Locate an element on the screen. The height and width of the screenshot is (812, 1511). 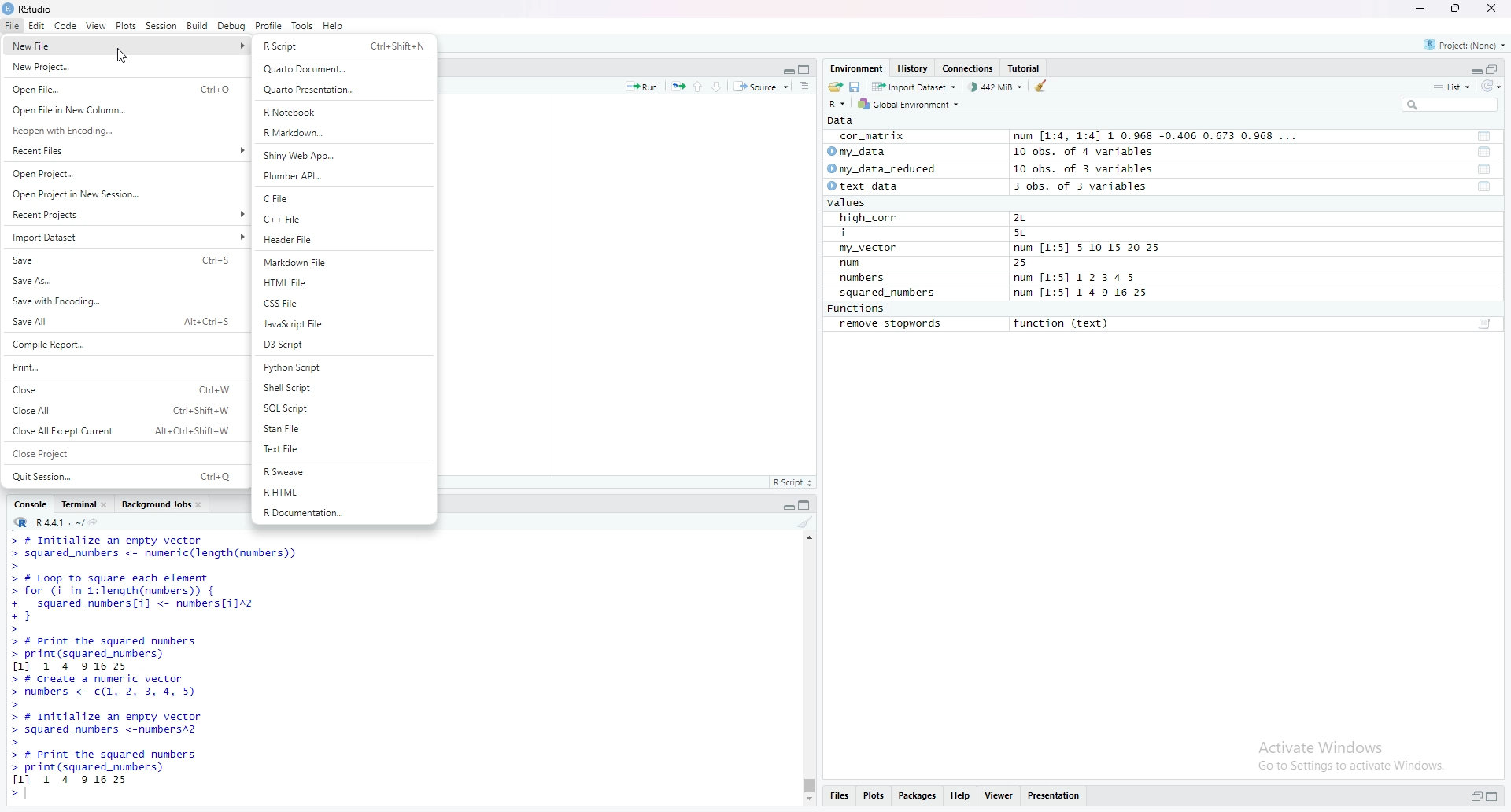
> # Initialize an empty vector> squared_numbers <- numeric(length(numbers))> # Loop To square each element> for (i in 1:length(numbers)) {+ squared_numbers[i] <- nunbers[i]2+}> # print the squared numbers> print(squared_numbers)1] 1 4 91625> # create a numeric vector> numbers <- c(1, 2, 3, 4, 5)> # Initialize an empty vector> squared_numbers <-numbersA2> # print the squared numbers> print(squared_numbers)1] 1 4 91625 is located at coordinates (168, 670).